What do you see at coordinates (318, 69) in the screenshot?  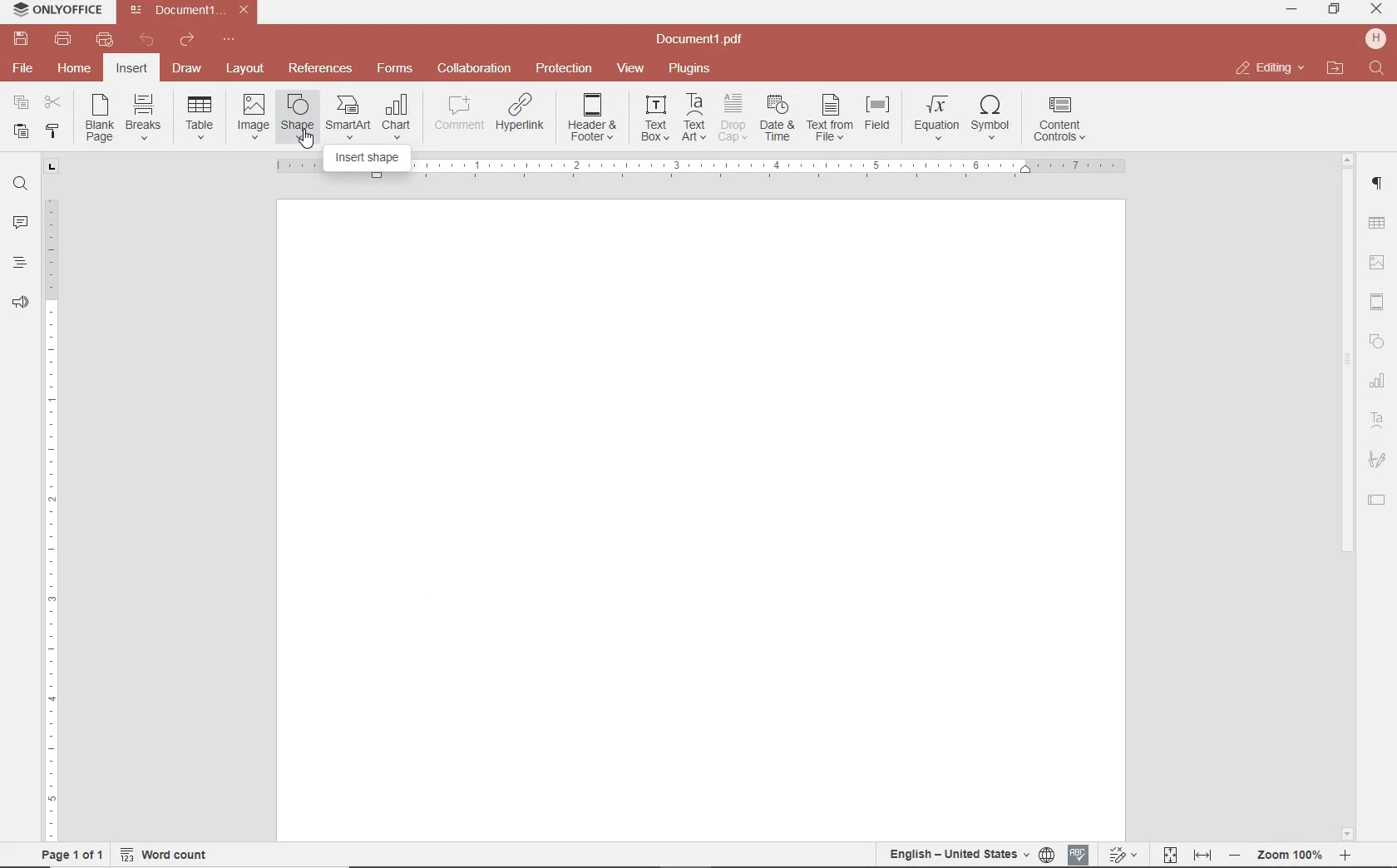 I see `reference` at bounding box center [318, 69].